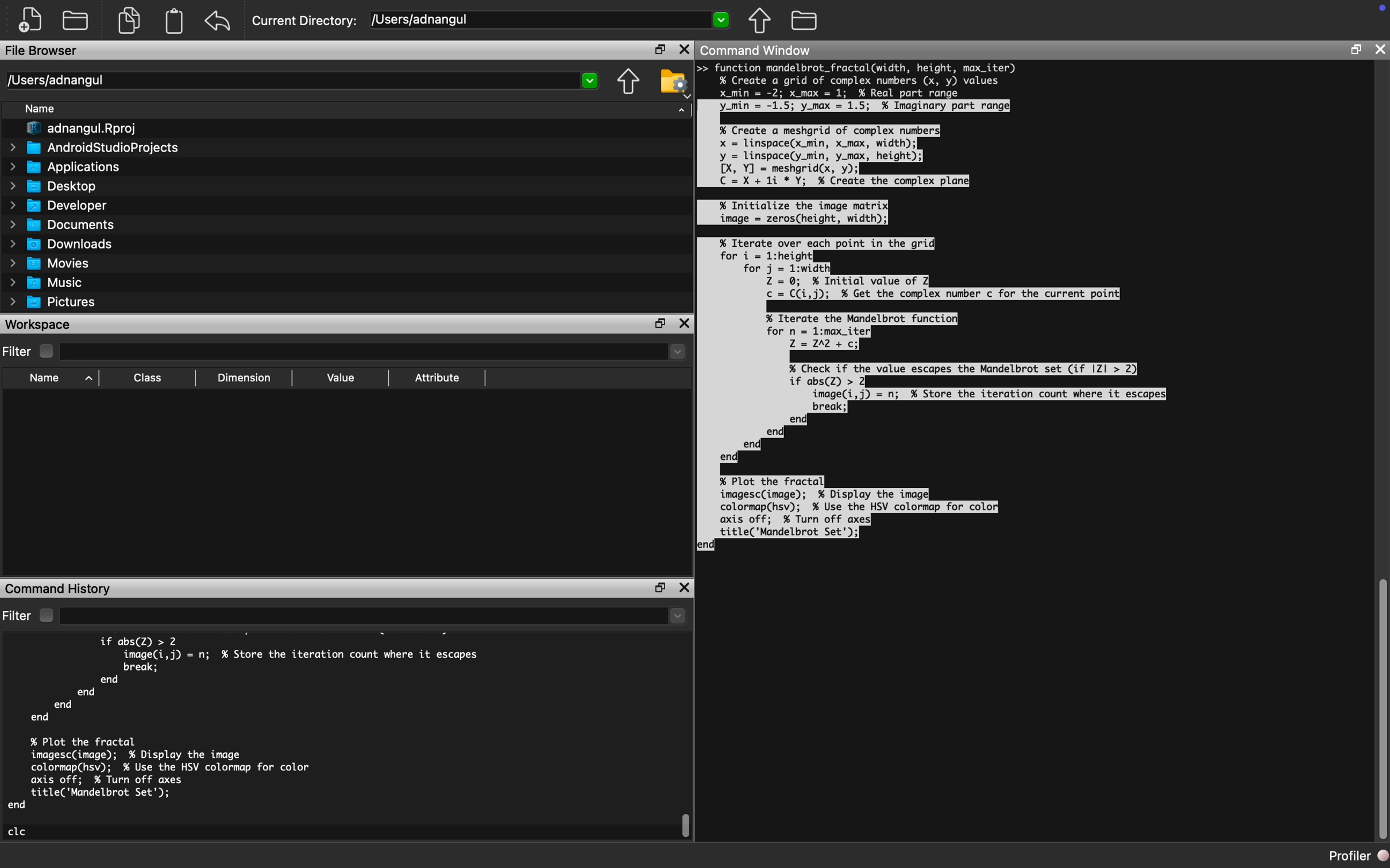 This screenshot has height=868, width=1390. I want to click on % Iterate over each point in the gridfor i = 1:height]for j = 1:width|Z = 0; % Initial value of Zc = C(i,j); % Get the complex number c for the current point]% Iterate the Mandelbrot function)for n = 1:max_iterZ=12A +c;% Check if the value escapes the Mandelbrot set (if Z| > 2)if abs(Z) > 2|image(i,j) = n; % Store the iteration count where it escapes break;end end end end, so click(943, 354).